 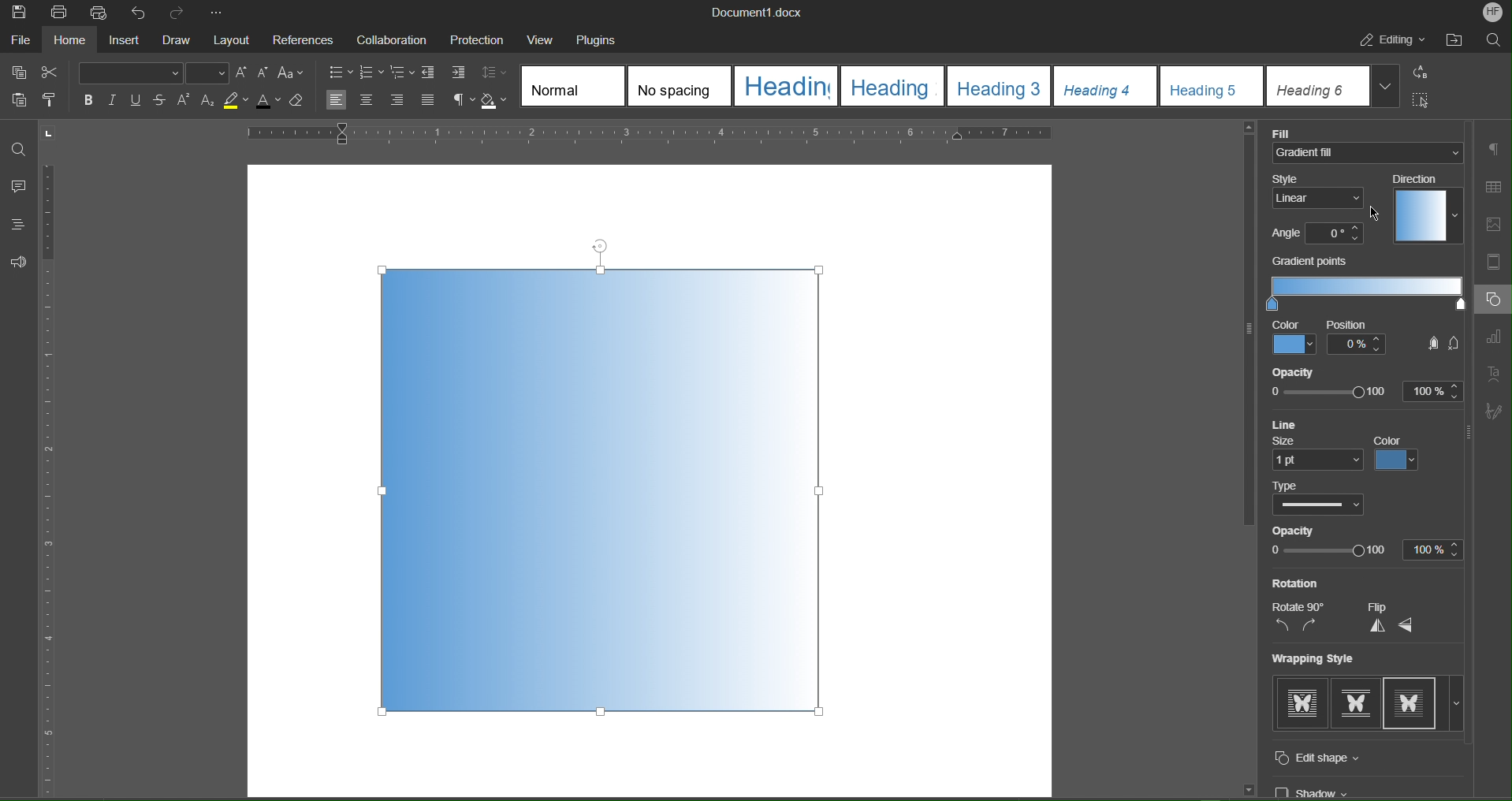 What do you see at coordinates (572, 84) in the screenshot?
I see `Normal` at bounding box center [572, 84].